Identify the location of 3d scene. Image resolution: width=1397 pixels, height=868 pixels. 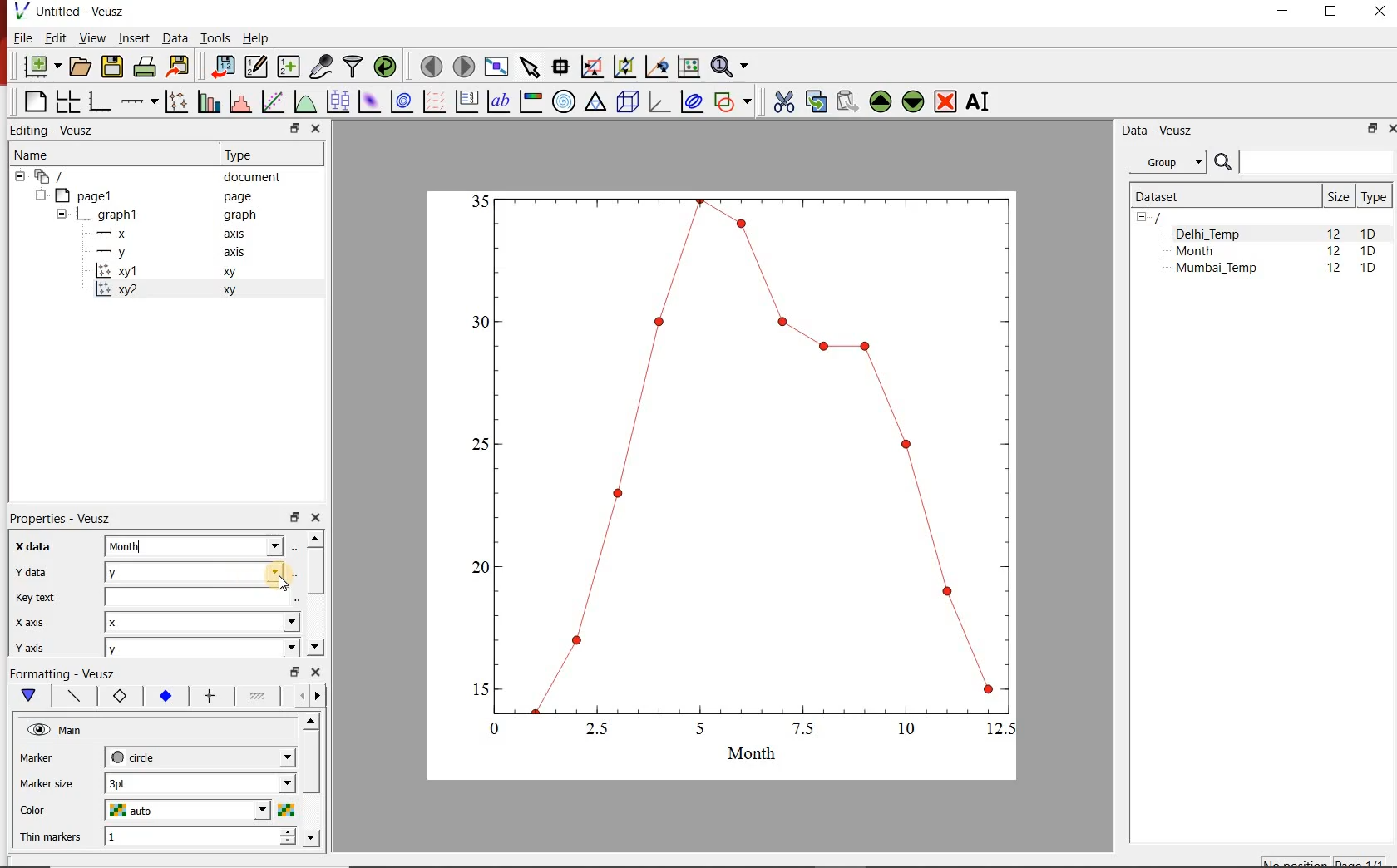
(626, 102).